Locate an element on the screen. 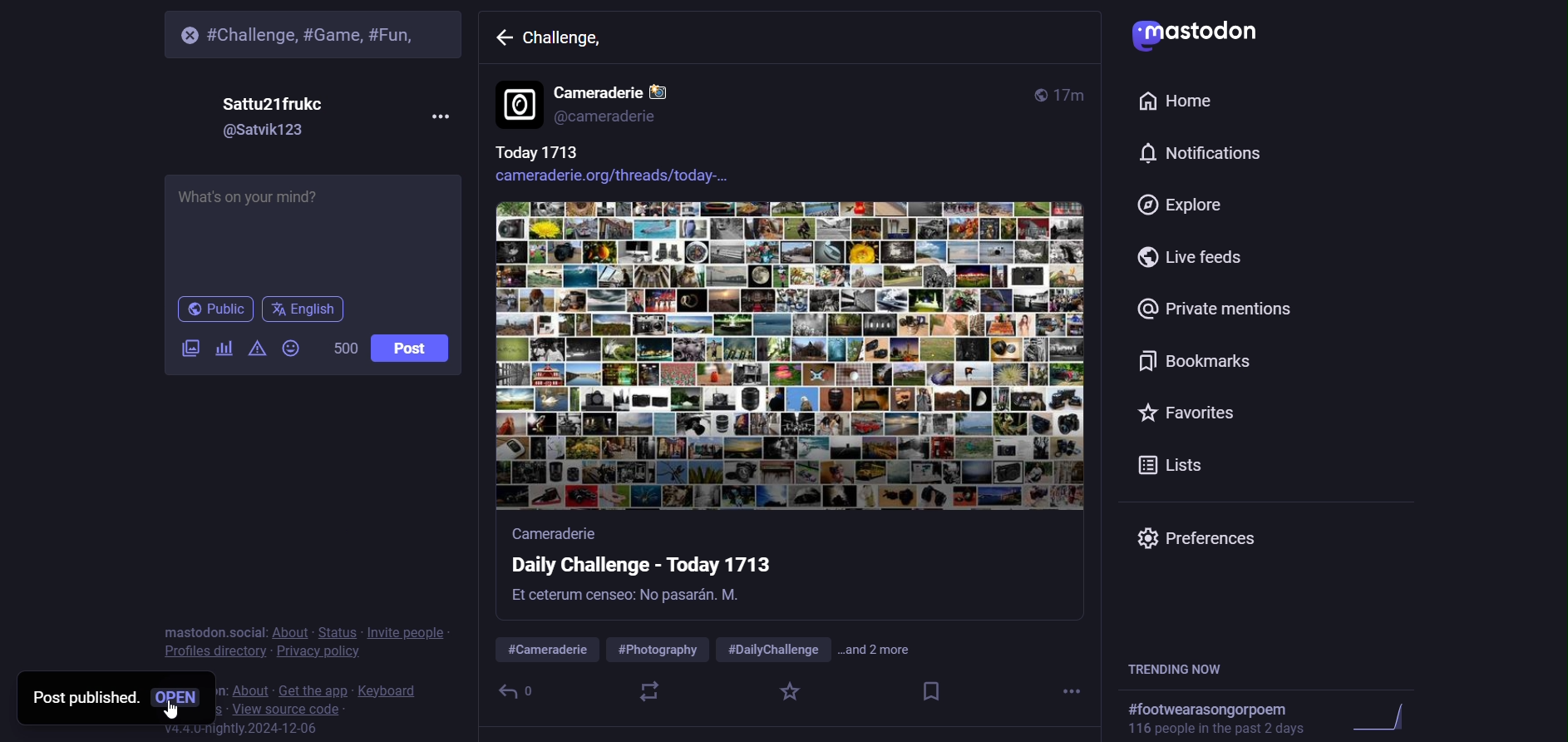  preferences is located at coordinates (1206, 537).